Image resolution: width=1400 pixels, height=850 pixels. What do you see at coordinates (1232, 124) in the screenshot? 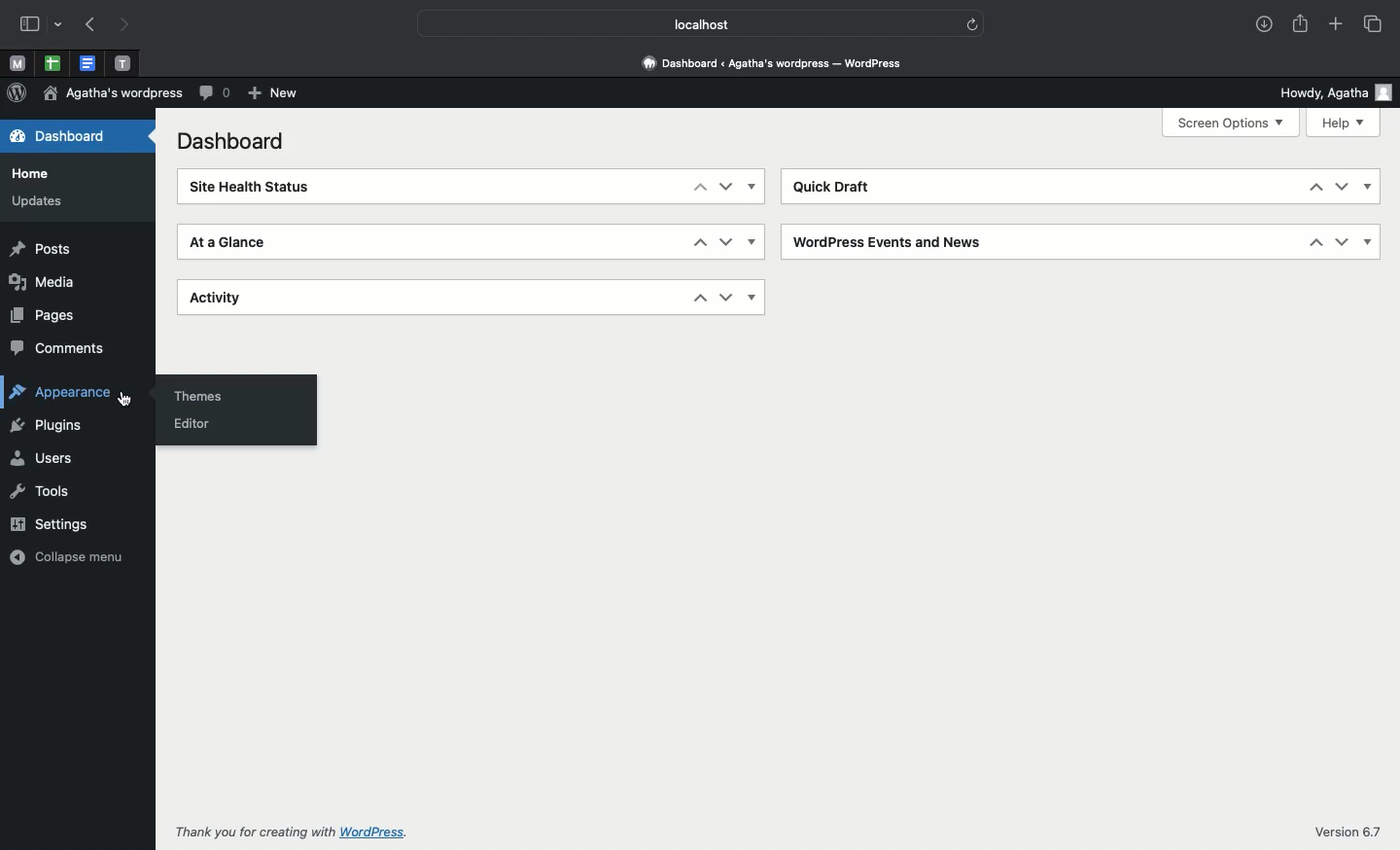
I see `Screen options` at bounding box center [1232, 124].